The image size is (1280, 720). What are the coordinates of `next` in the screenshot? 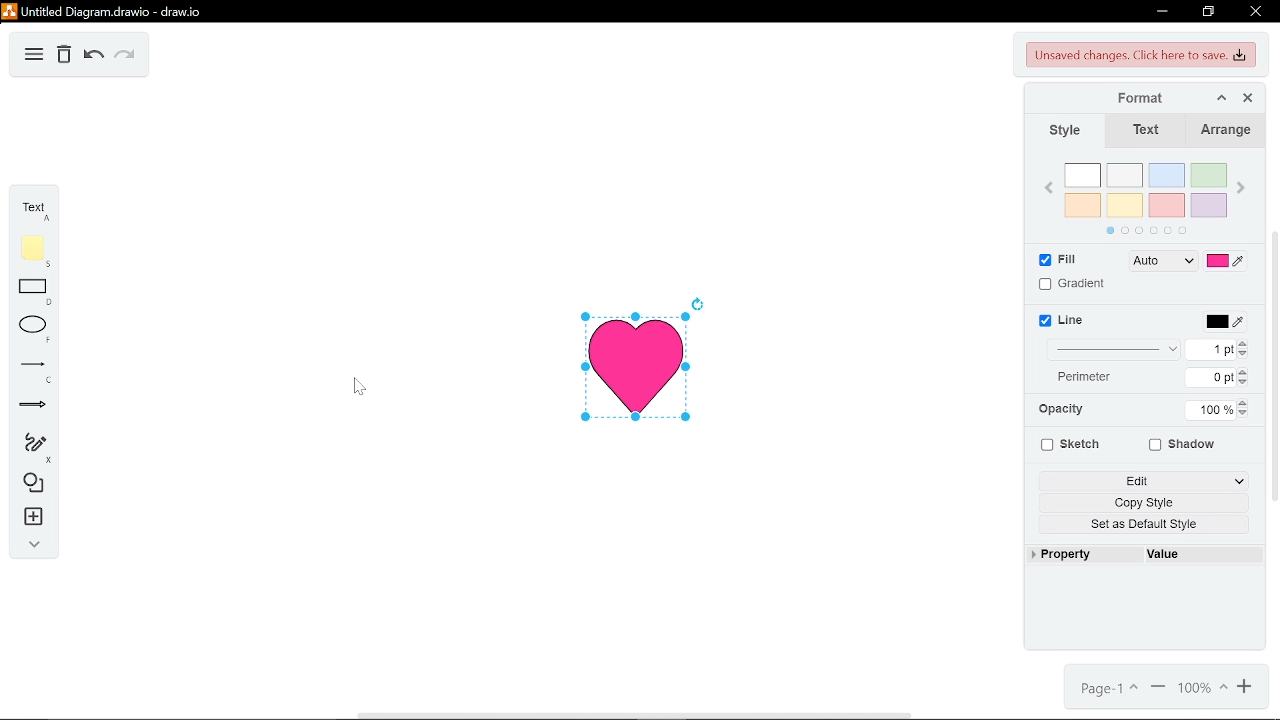 It's located at (1242, 189).